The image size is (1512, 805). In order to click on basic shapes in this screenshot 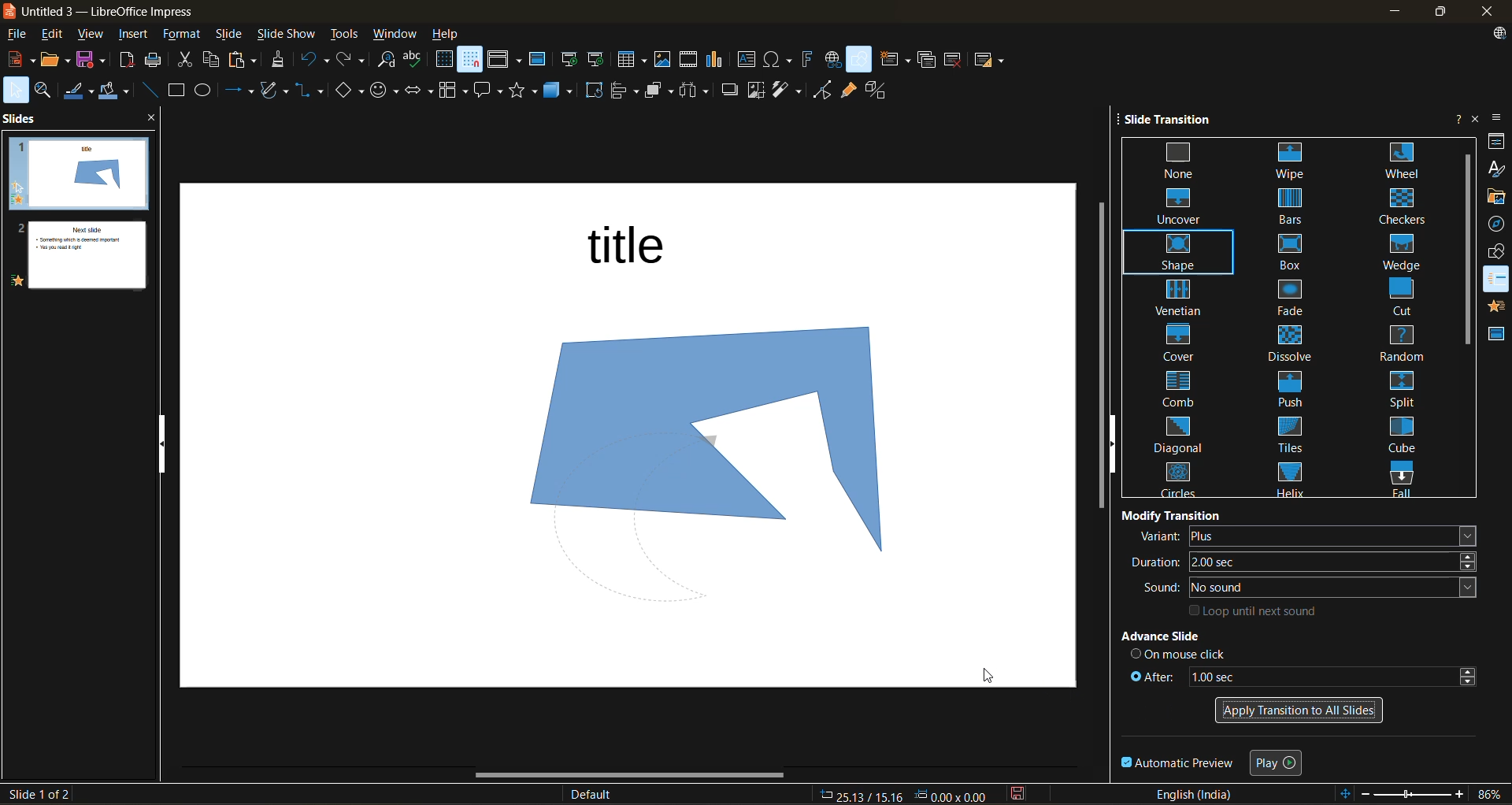, I will do `click(350, 89)`.